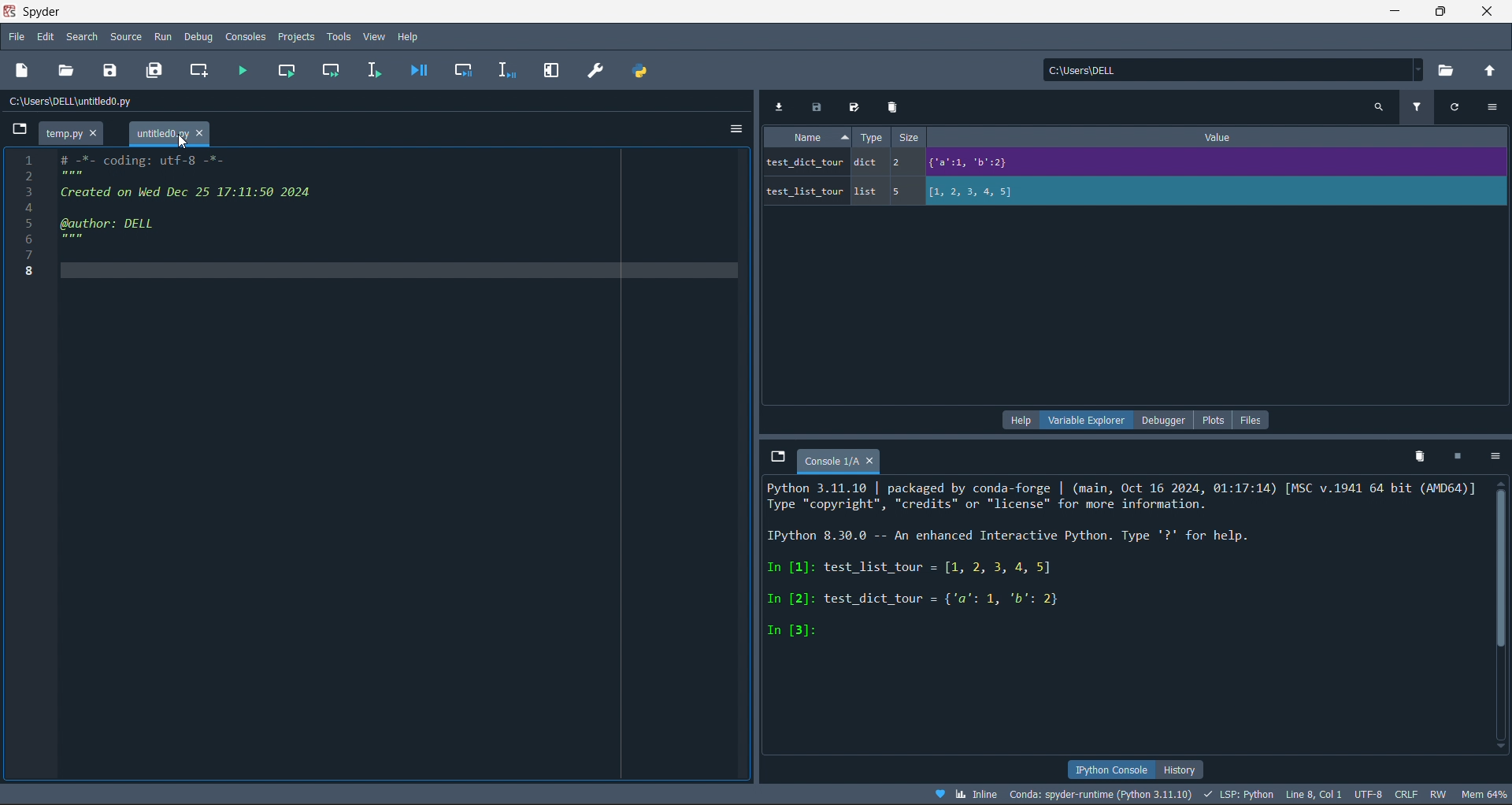 This screenshot has width=1512, height=805. I want to click on create cell, so click(198, 69).